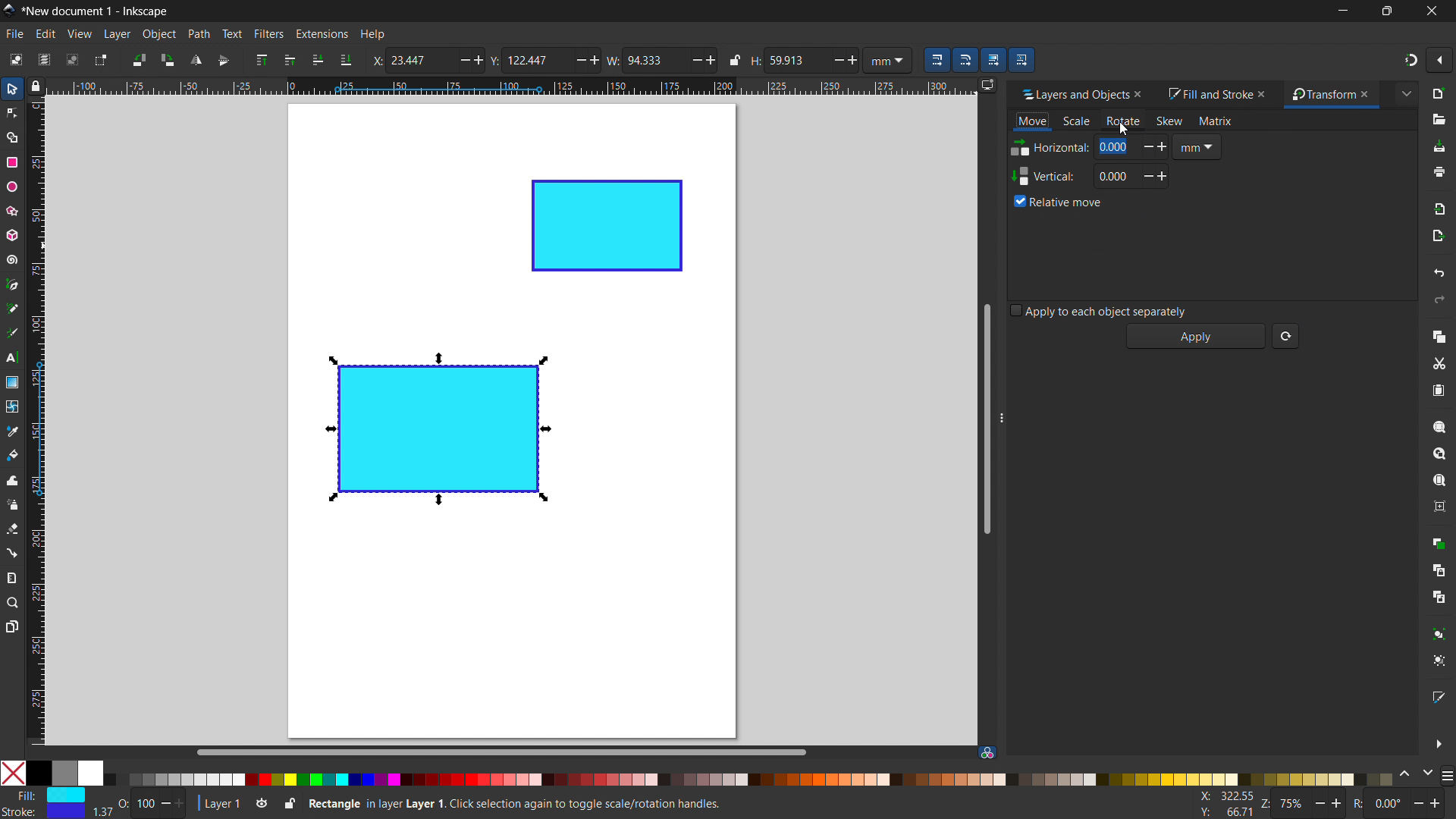 The image size is (1456, 819). I want to click on reset, so click(1285, 336).